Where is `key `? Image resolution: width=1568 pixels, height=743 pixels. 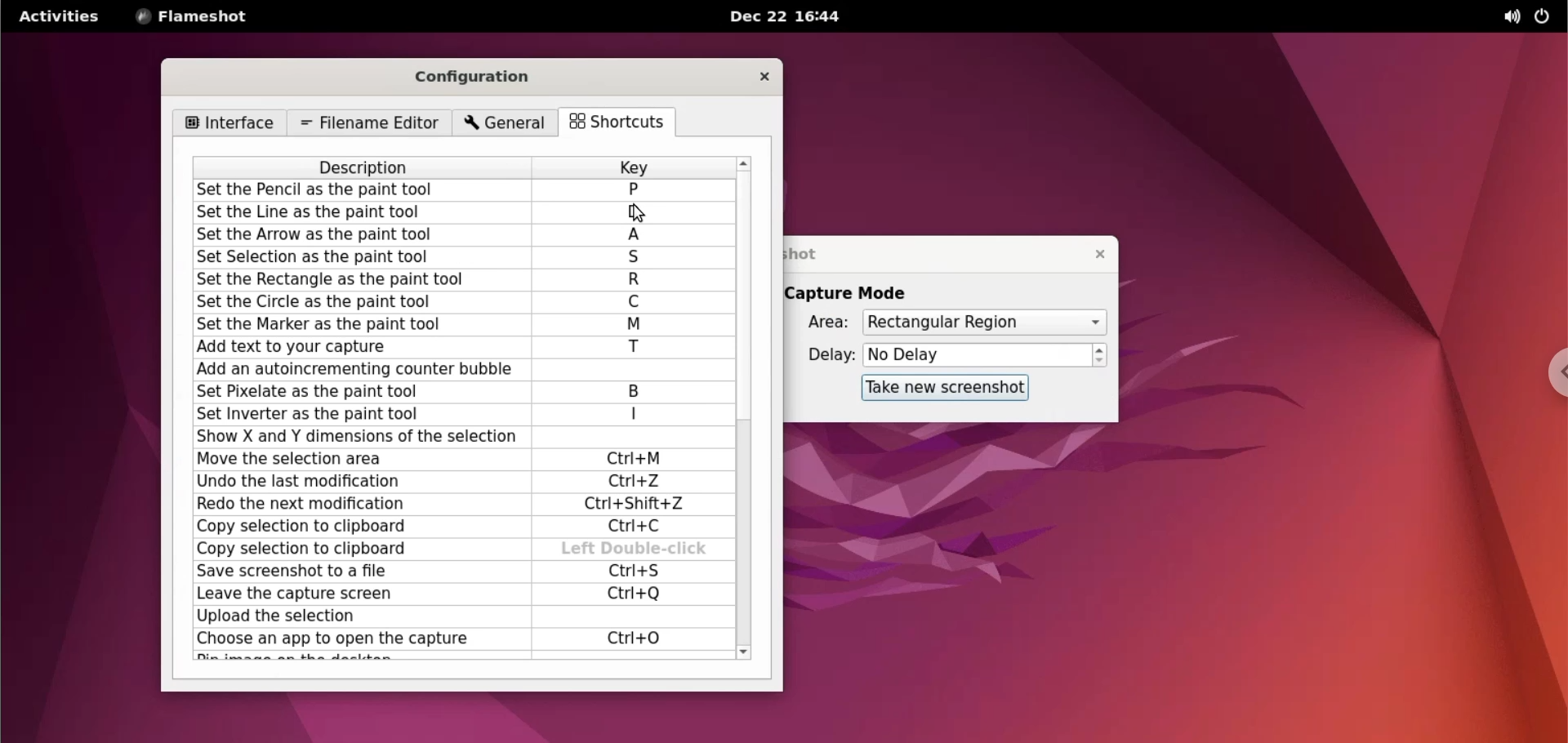
key  is located at coordinates (633, 167).